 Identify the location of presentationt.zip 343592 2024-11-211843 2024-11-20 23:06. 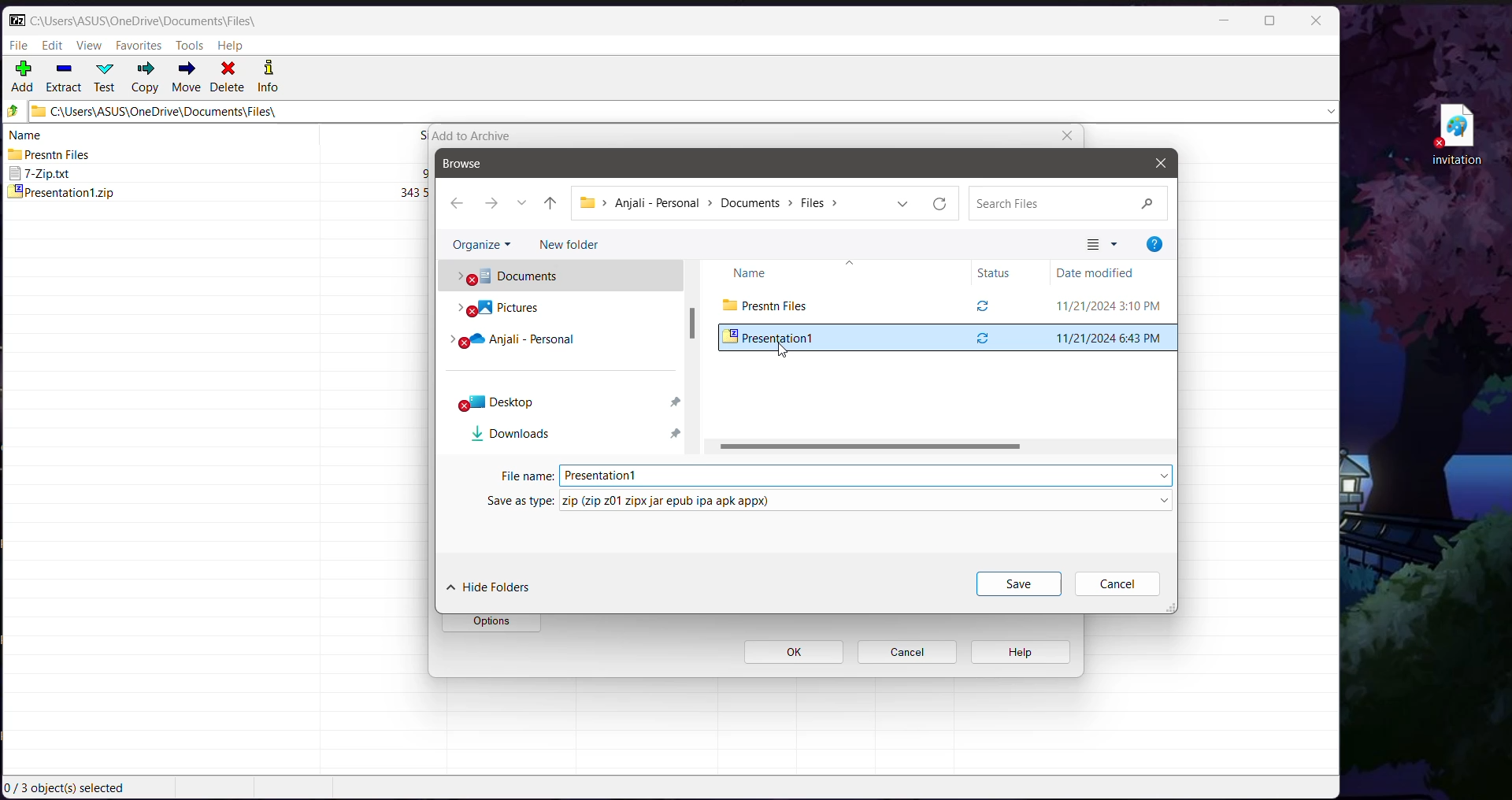
(216, 194).